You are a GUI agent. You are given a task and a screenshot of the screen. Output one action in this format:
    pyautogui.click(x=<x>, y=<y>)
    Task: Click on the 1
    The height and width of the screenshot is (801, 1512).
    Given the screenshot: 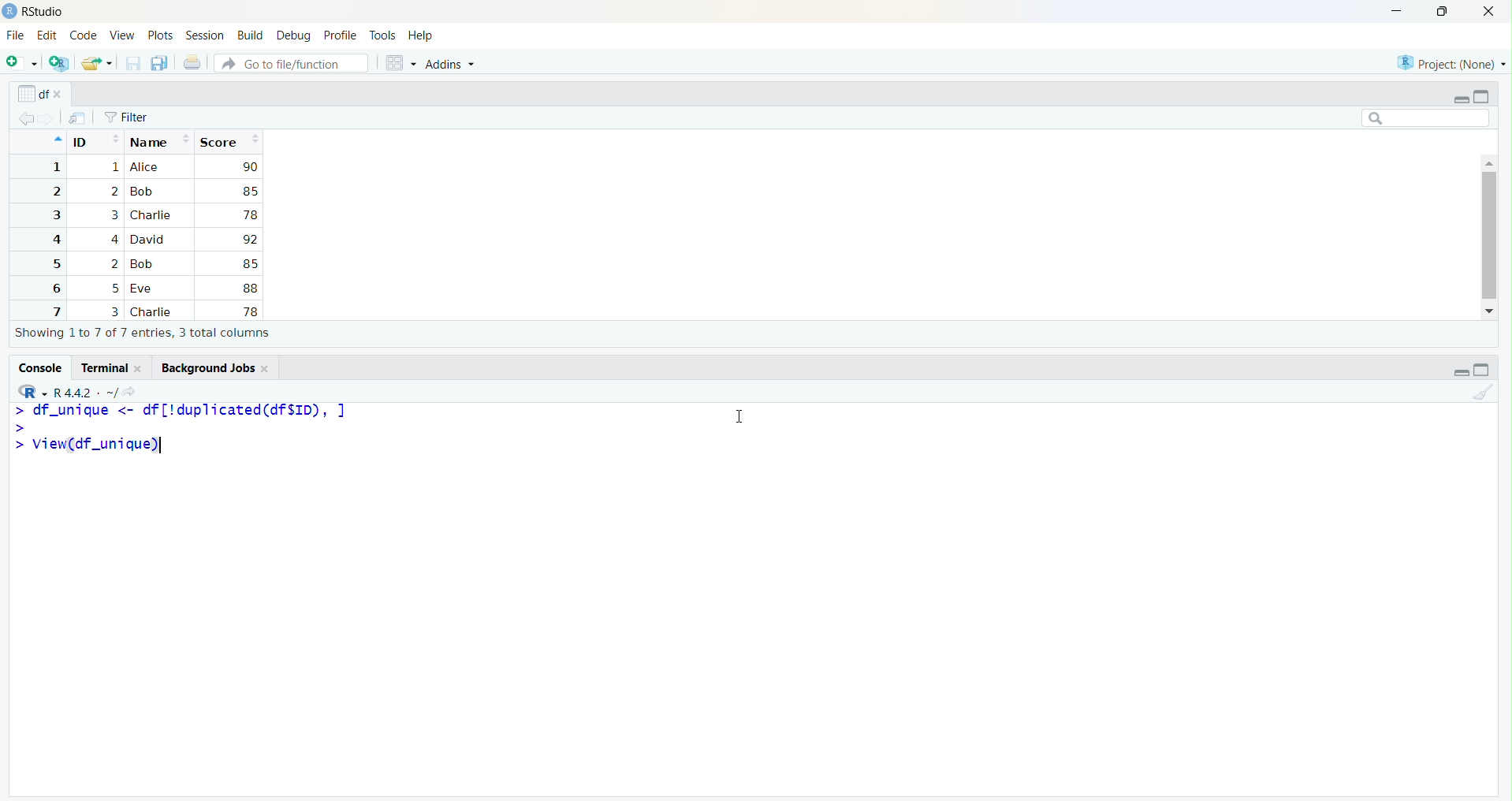 What is the action you would take?
    pyautogui.click(x=54, y=167)
    